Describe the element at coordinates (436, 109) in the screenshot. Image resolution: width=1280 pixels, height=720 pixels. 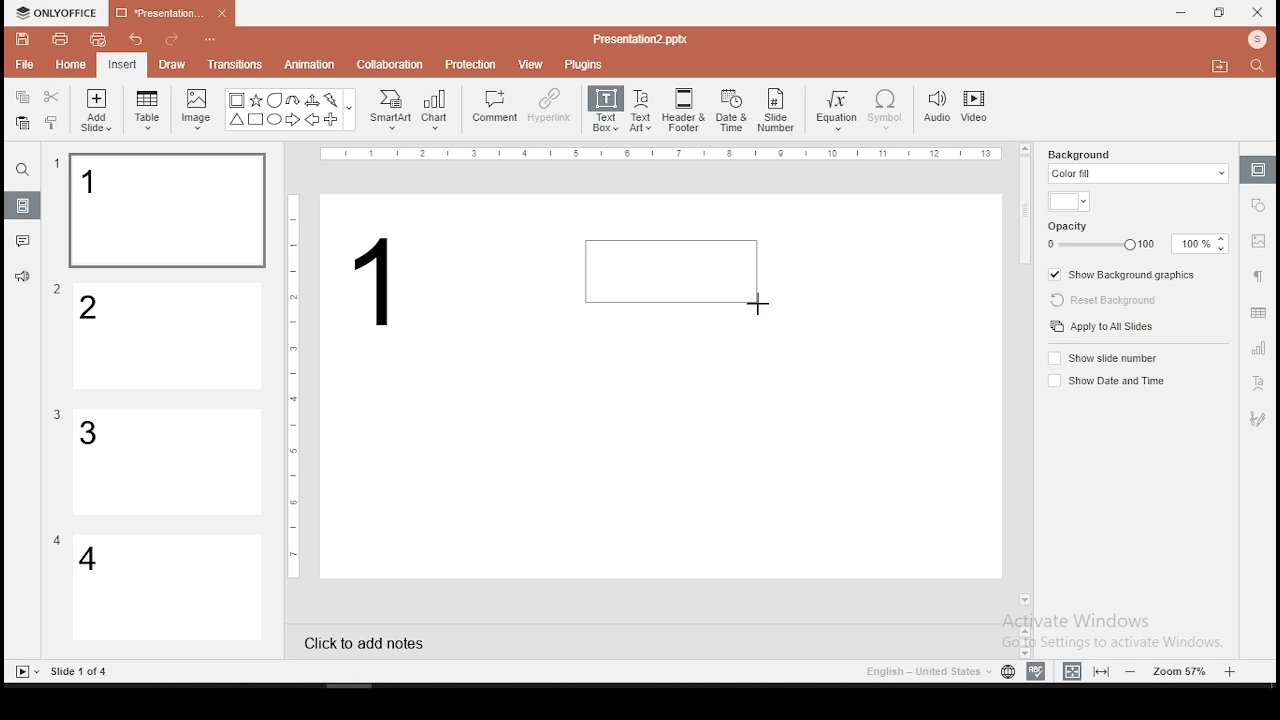
I see `chart` at that location.